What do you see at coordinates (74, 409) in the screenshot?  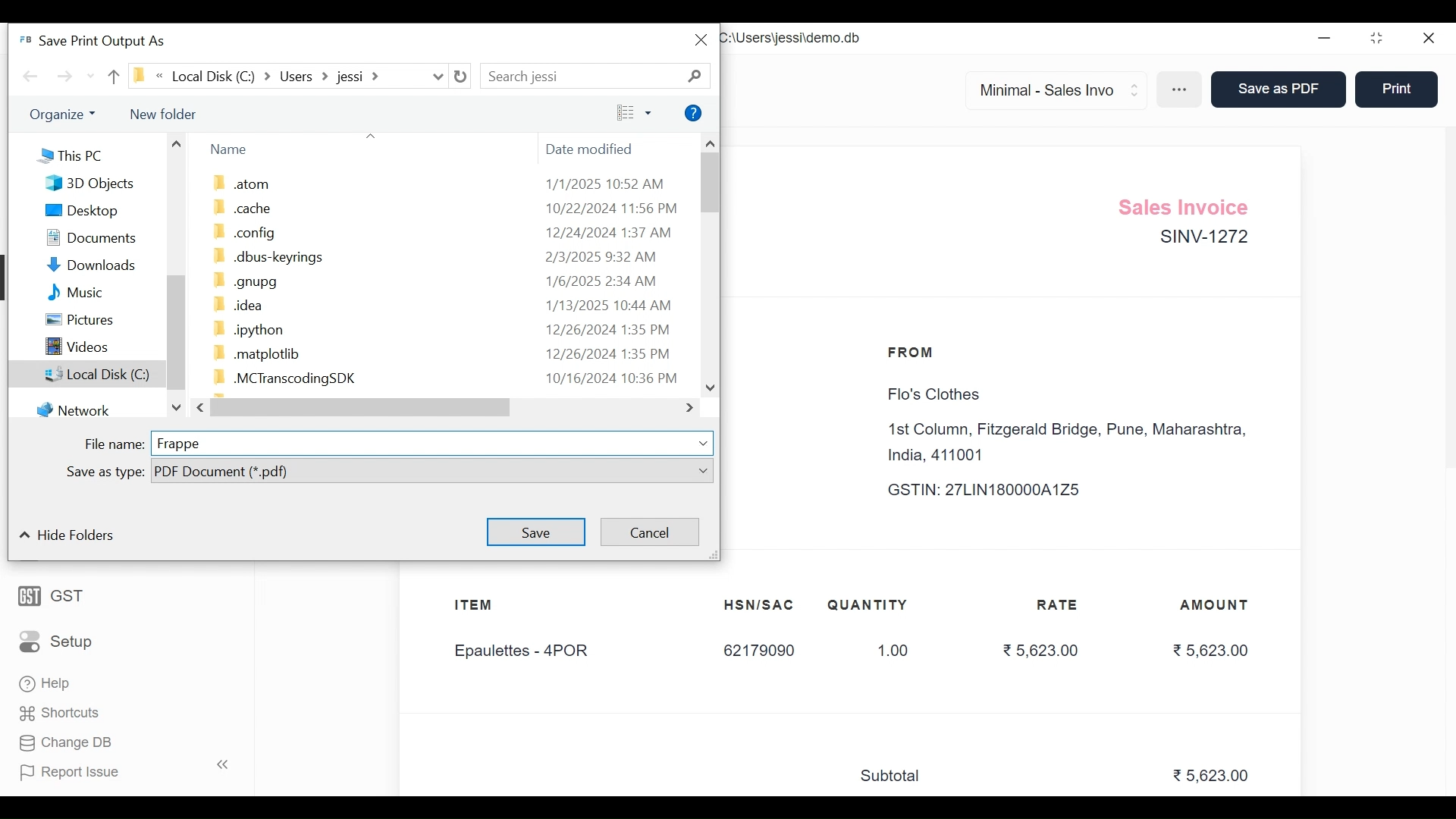 I see `Network` at bounding box center [74, 409].